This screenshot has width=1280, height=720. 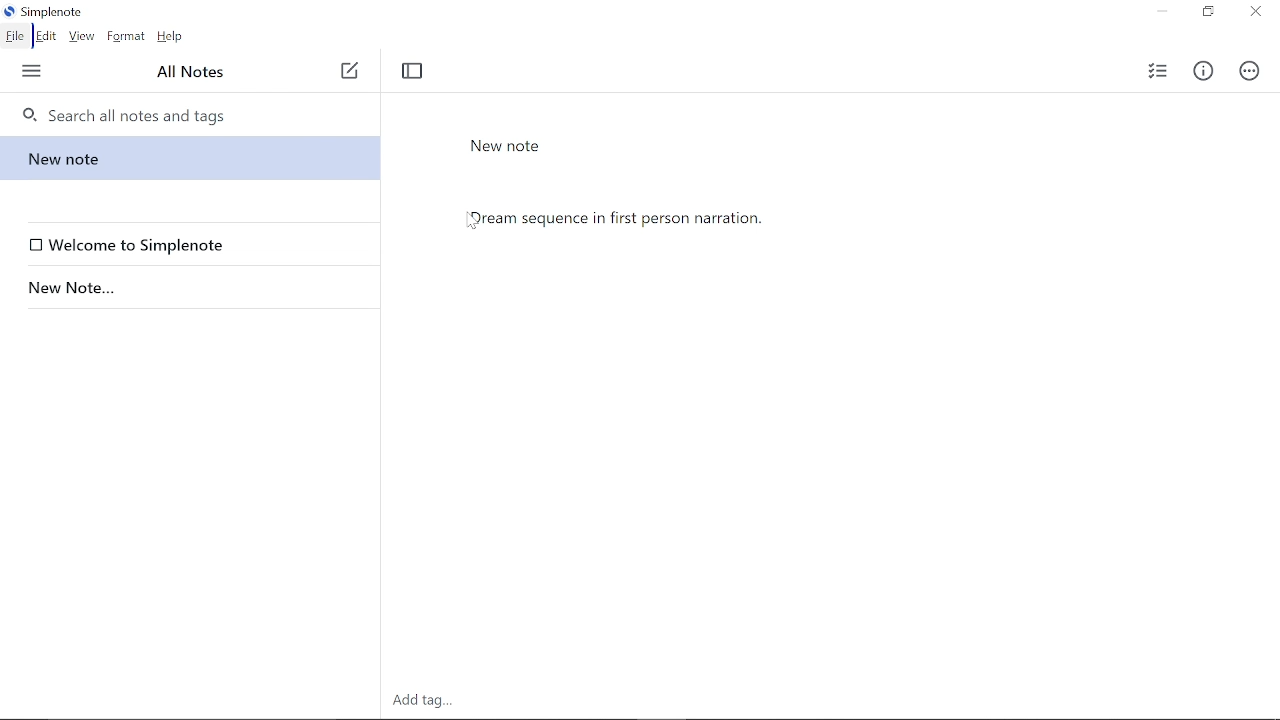 What do you see at coordinates (349, 72) in the screenshot?
I see `Add note` at bounding box center [349, 72].